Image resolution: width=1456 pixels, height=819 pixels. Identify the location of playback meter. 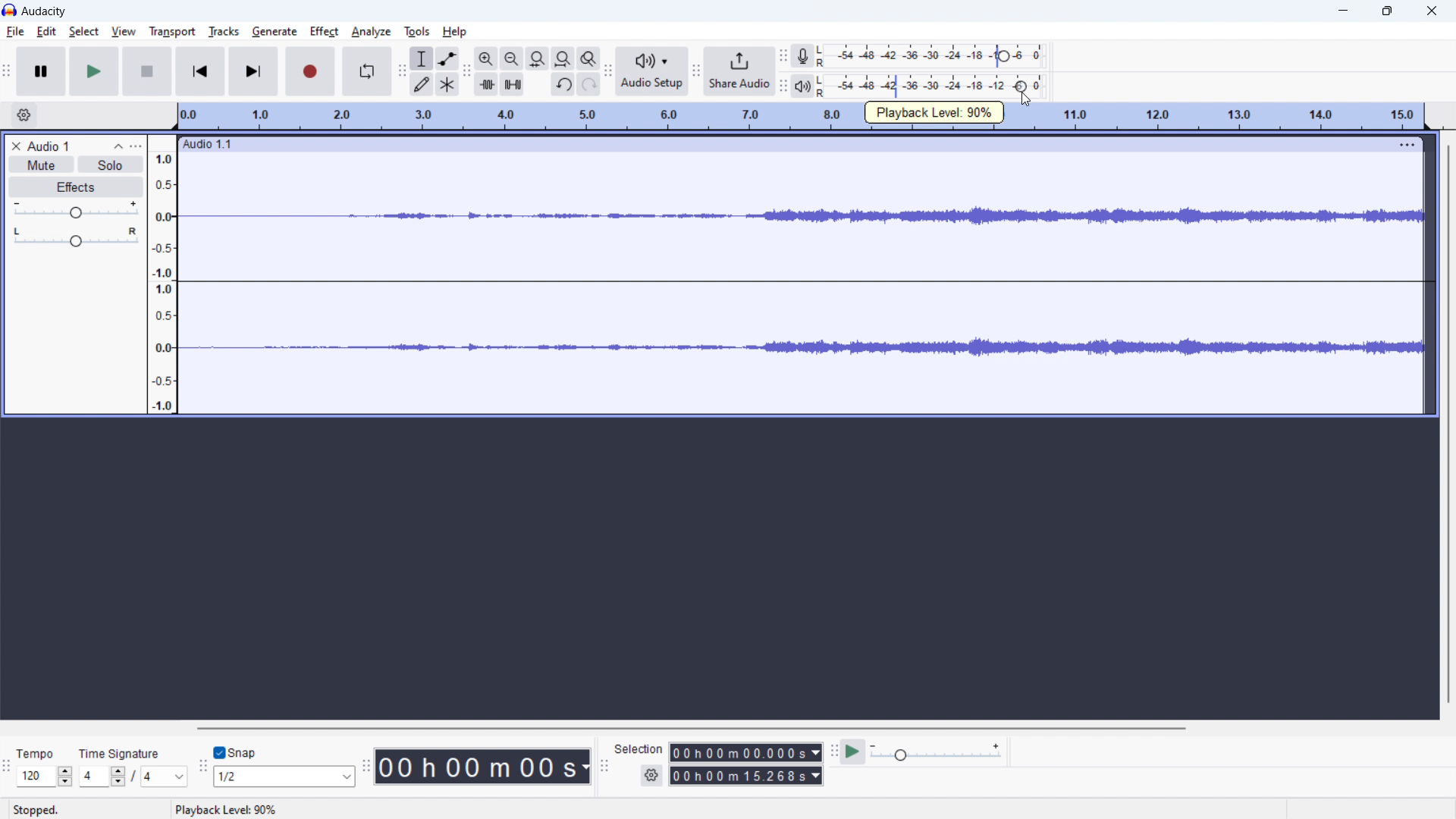
(803, 85).